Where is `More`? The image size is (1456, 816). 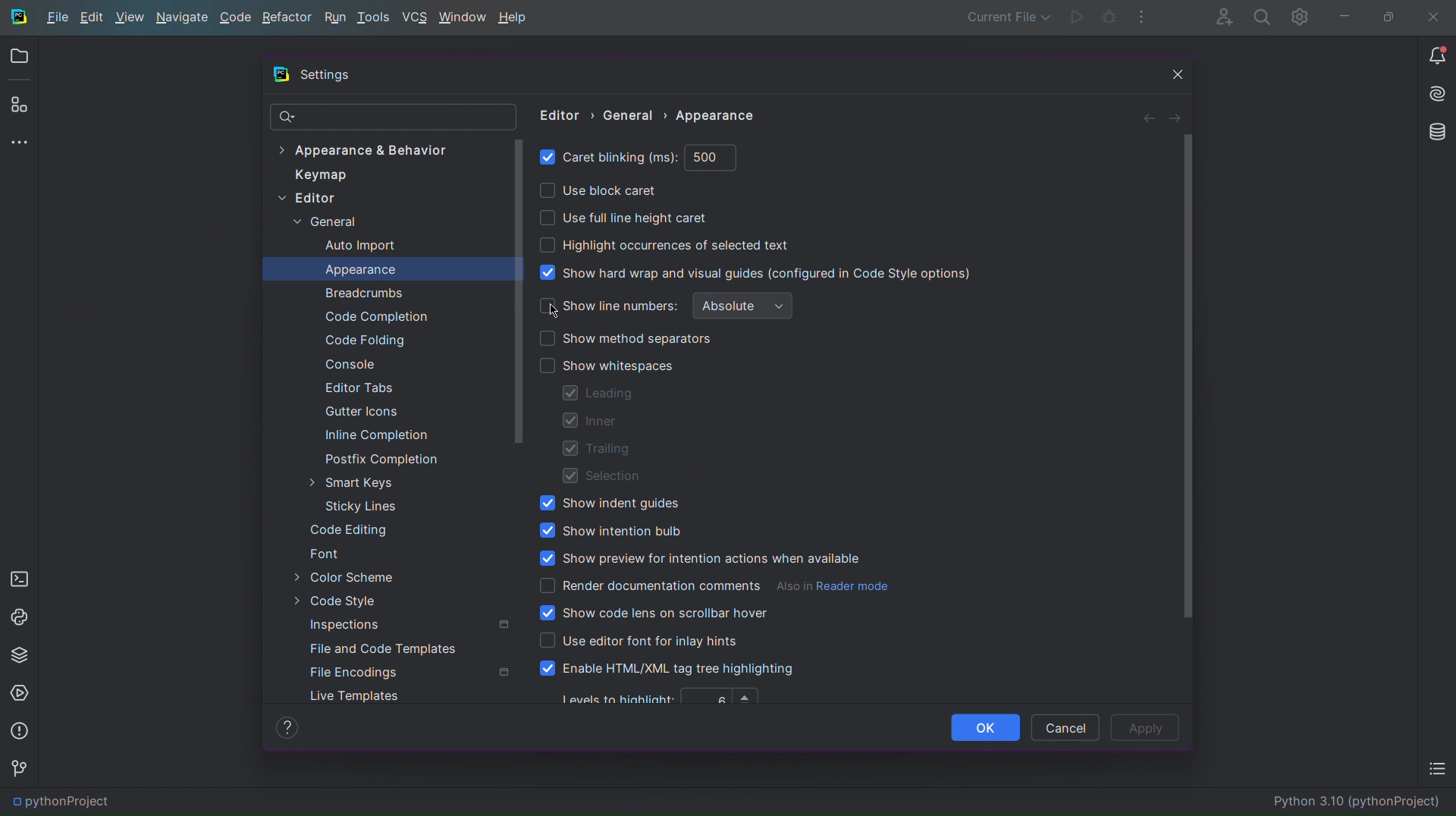 More is located at coordinates (1144, 18).